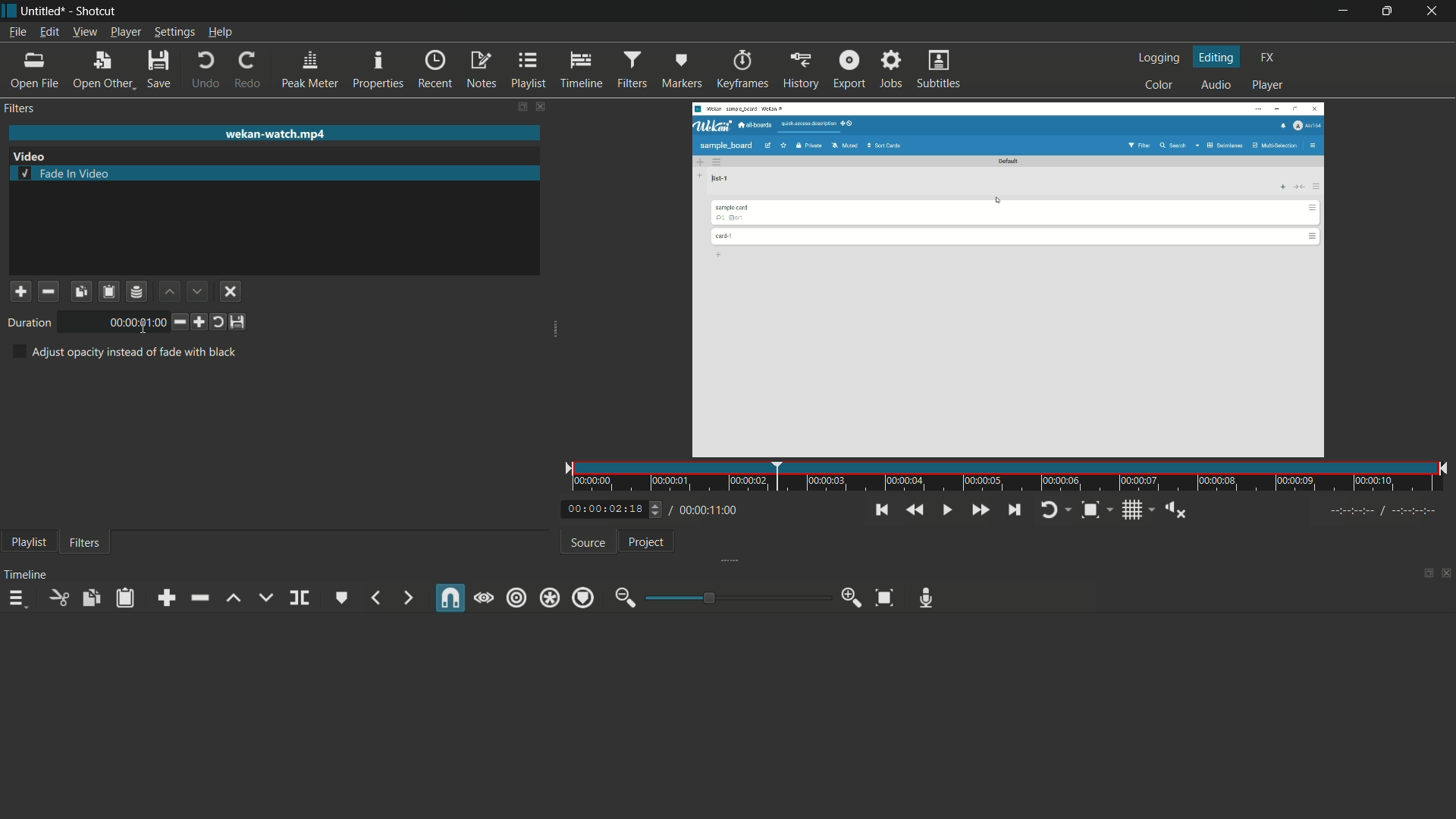  Describe the element at coordinates (890, 70) in the screenshot. I see `jobs` at that location.